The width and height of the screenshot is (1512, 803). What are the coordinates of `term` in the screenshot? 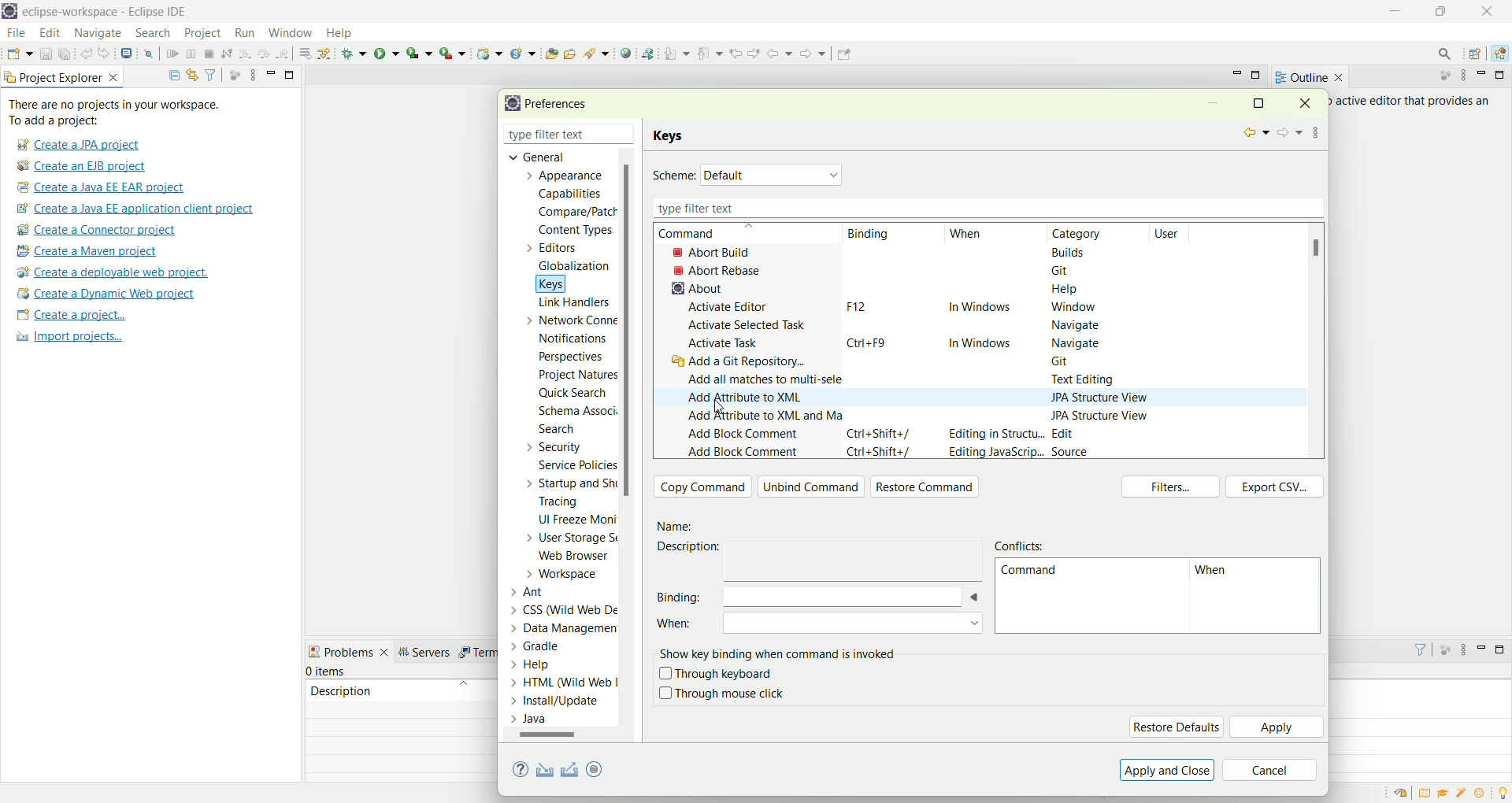 It's located at (476, 653).